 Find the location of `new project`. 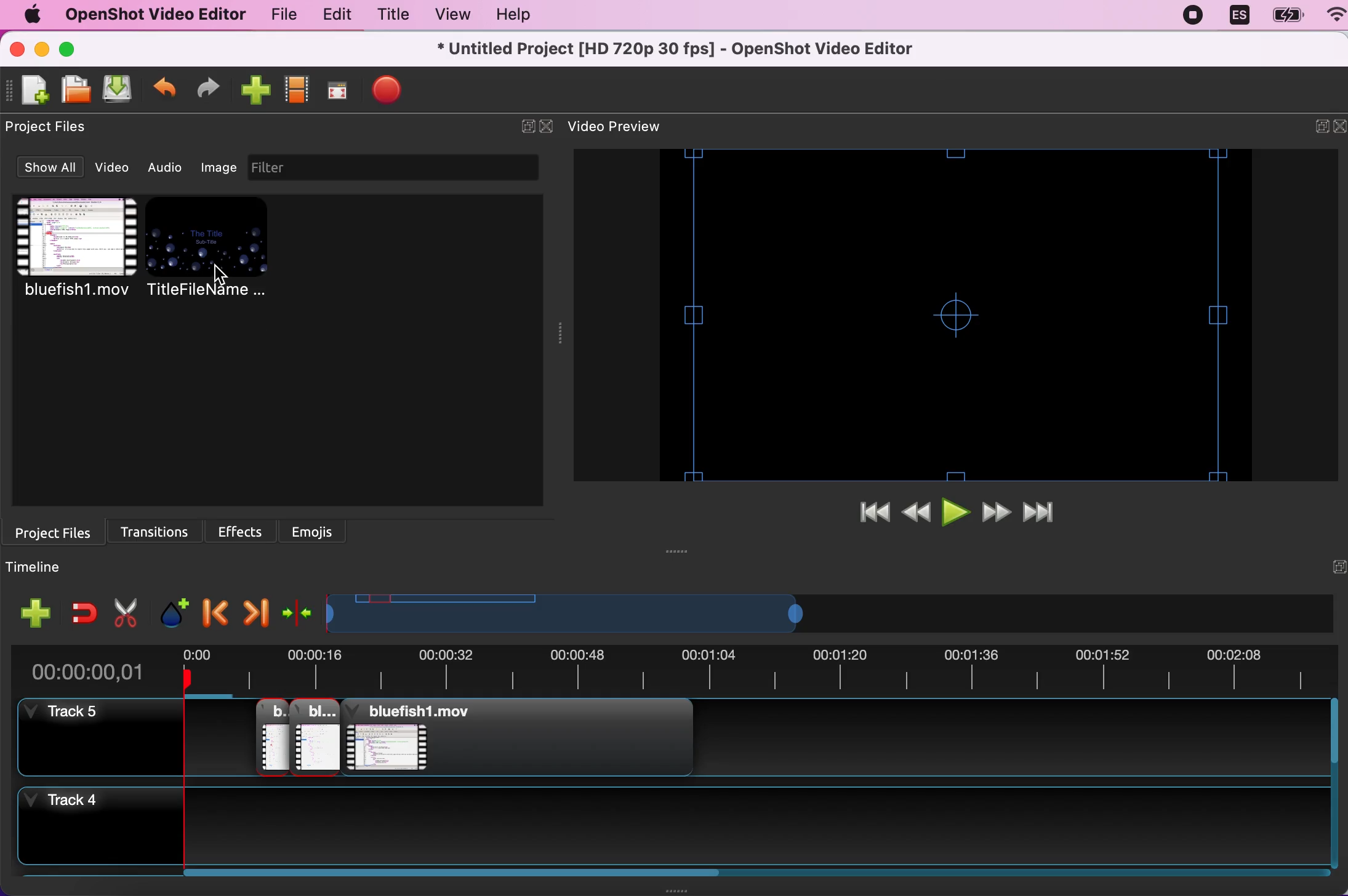

new project is located at coordinates (33, 90).